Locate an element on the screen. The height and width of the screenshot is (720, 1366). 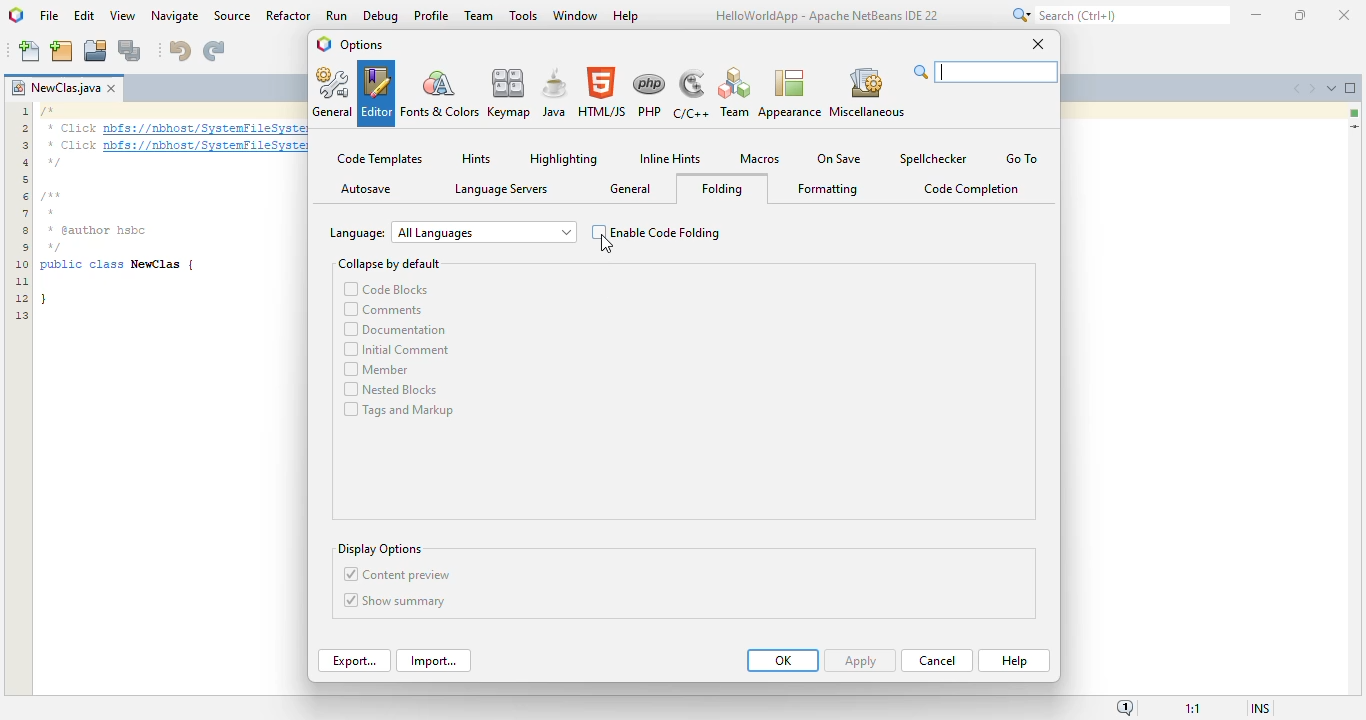
edit is located at coordinates (85, 16).